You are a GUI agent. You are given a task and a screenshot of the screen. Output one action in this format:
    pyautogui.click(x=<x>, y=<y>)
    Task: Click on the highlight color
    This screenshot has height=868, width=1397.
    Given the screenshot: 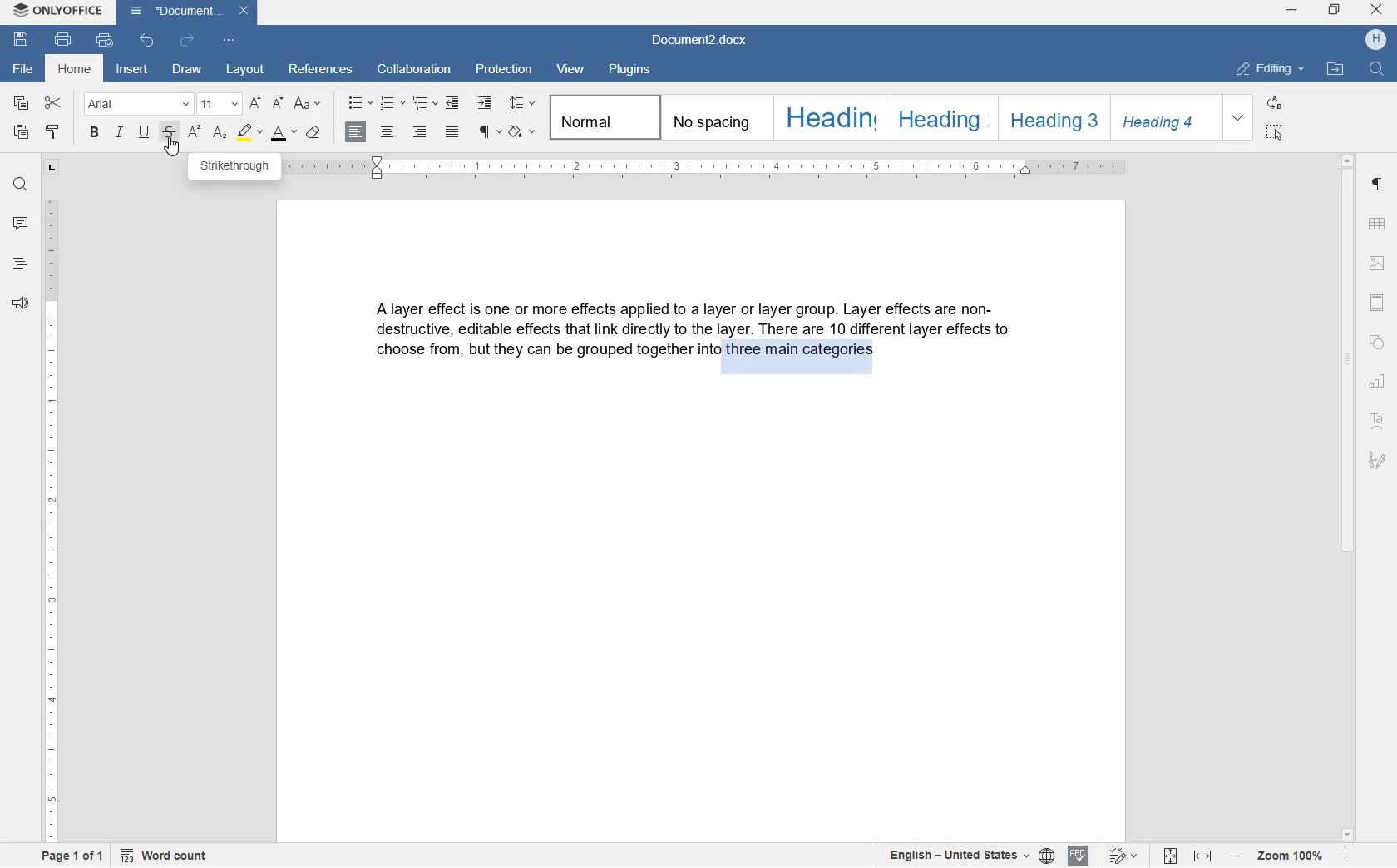 What is the action you would take?
    pyautogui.click(x=250, y=134)
    